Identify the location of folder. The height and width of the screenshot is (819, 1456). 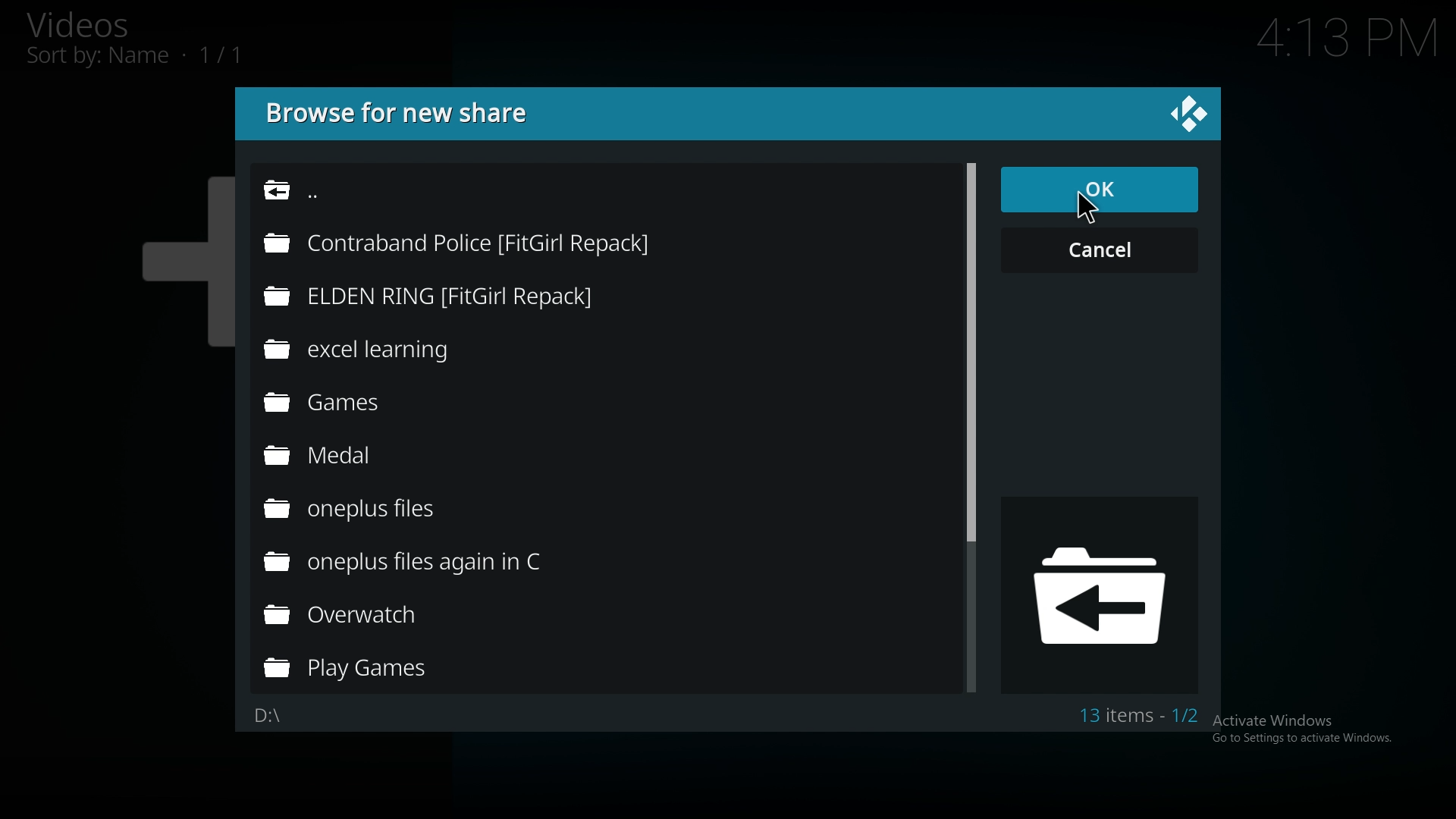
(405, 347).